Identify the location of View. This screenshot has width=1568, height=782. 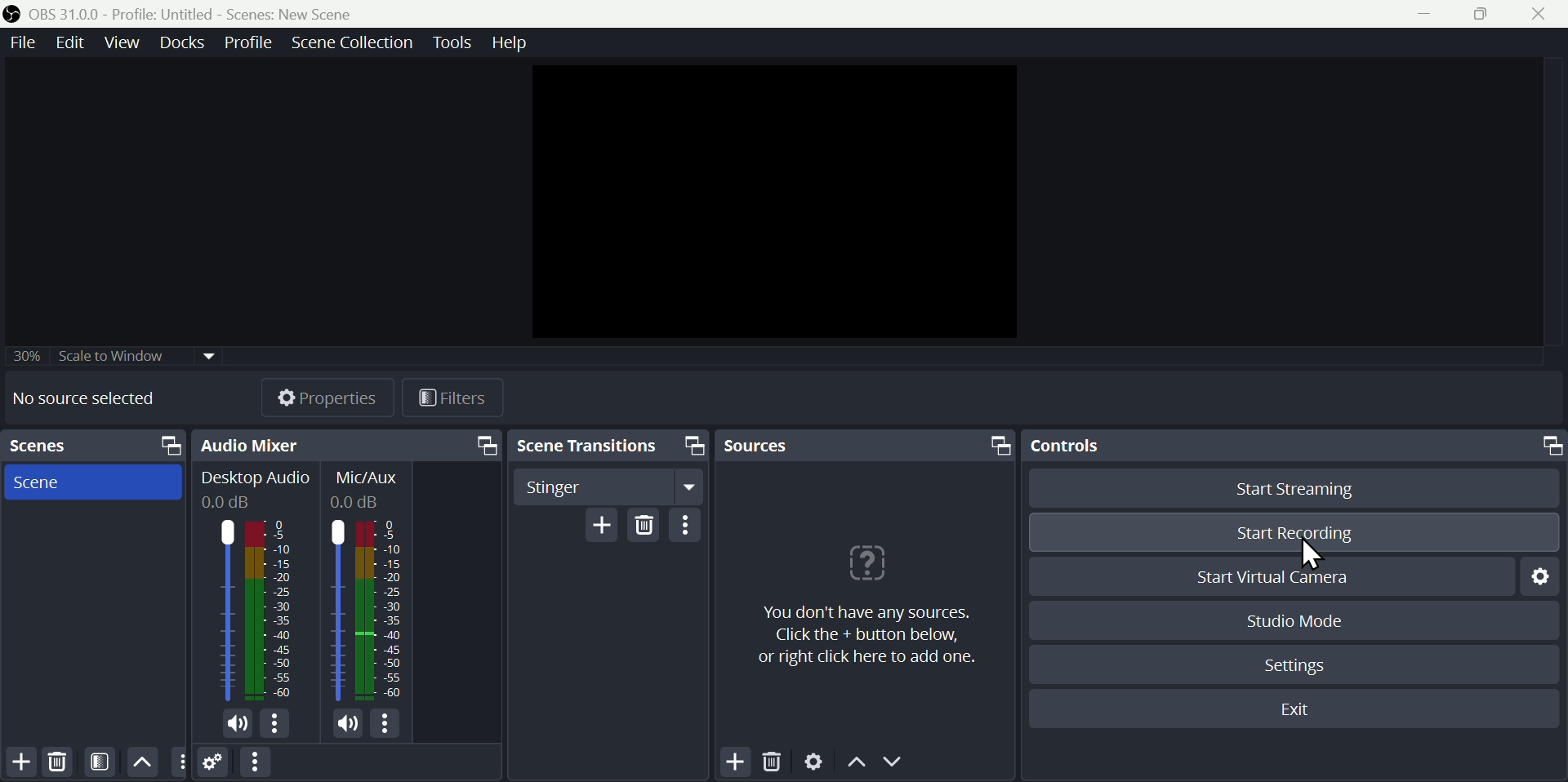
(122, 47).